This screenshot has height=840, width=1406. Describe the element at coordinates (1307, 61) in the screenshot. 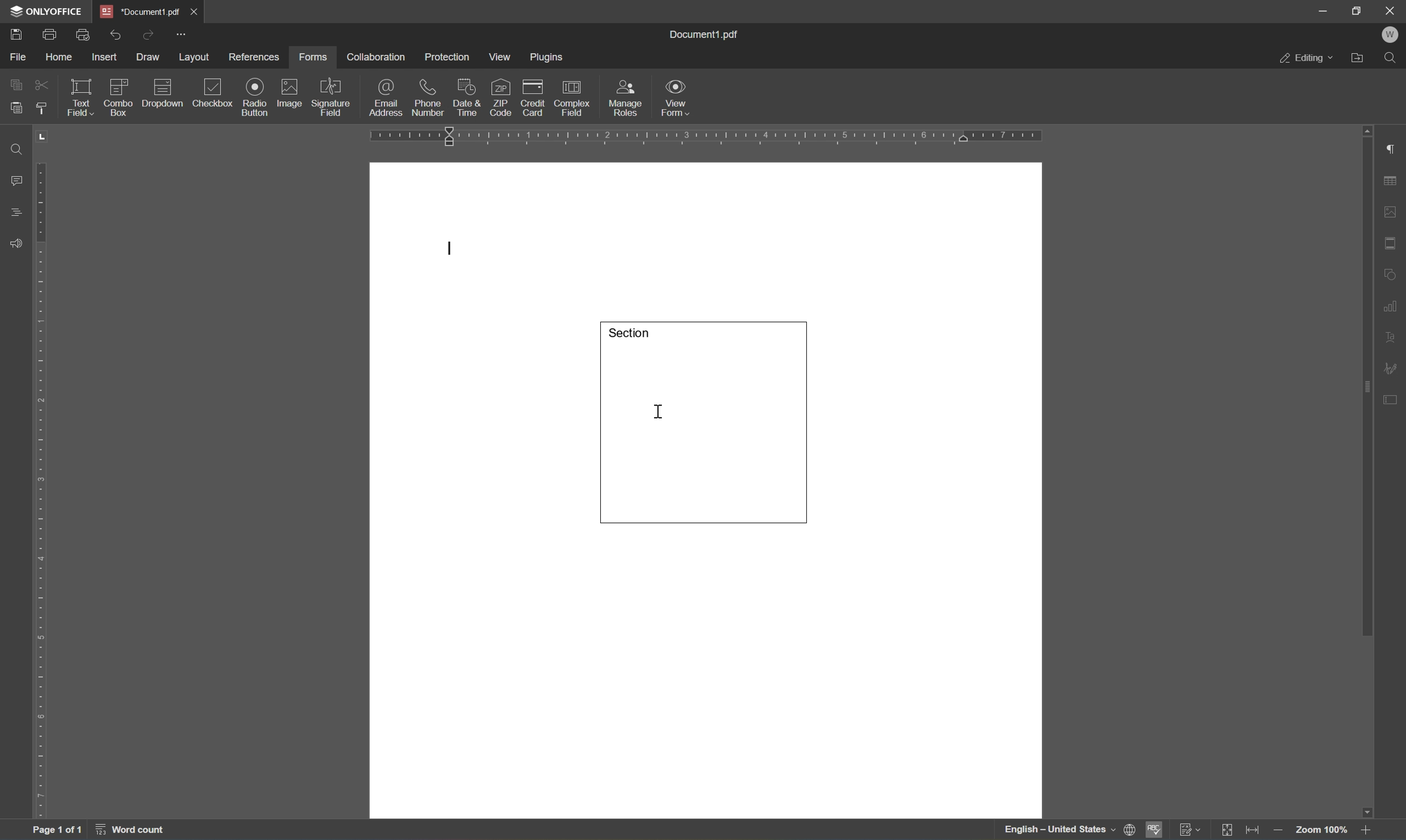

I see `editing` at that location.